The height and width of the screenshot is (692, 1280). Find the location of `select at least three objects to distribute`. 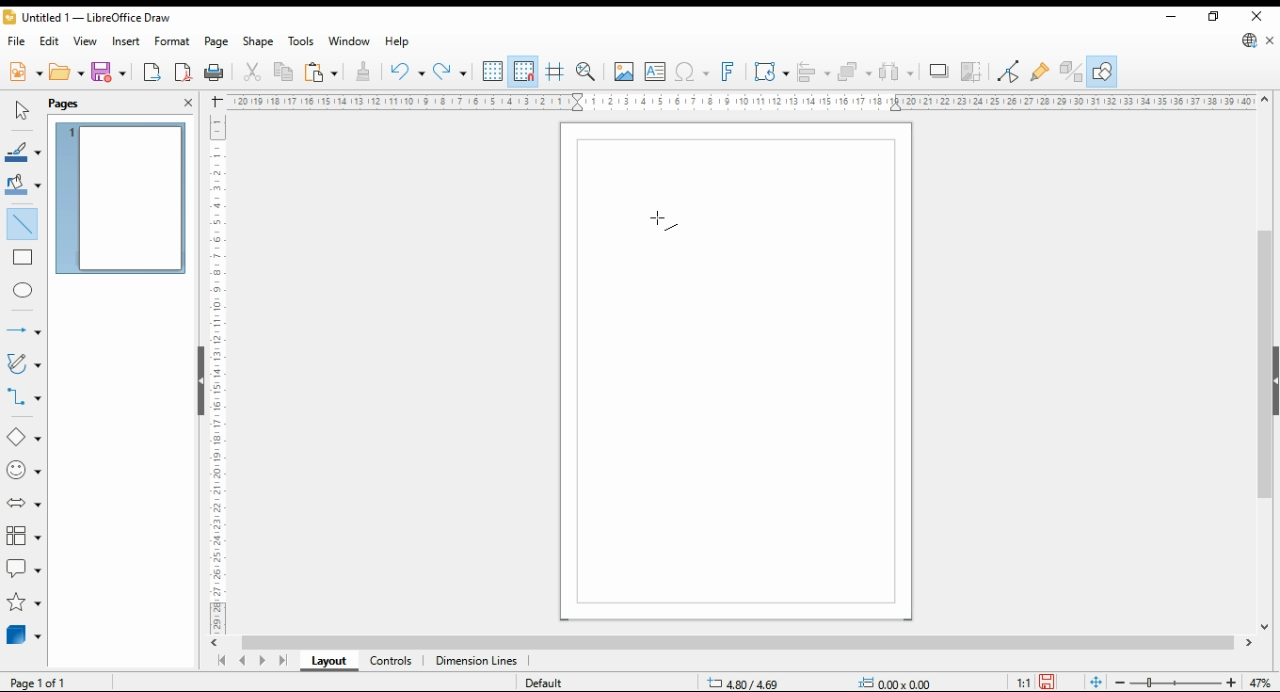

select at least three objects to distribute is located at coordinates (898, 72).